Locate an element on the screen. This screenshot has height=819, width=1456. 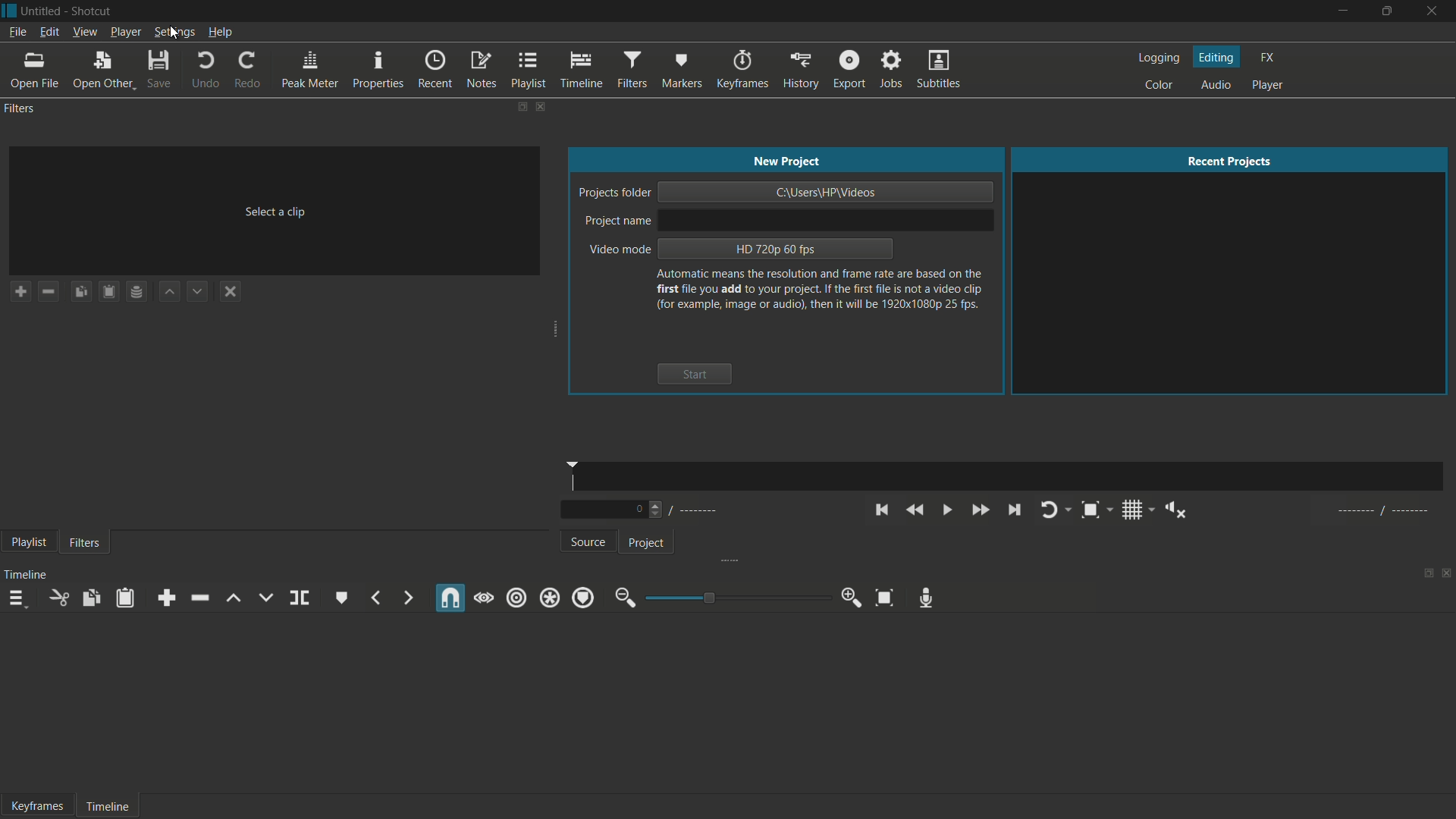
timeline is located at coordinates (580, 70).